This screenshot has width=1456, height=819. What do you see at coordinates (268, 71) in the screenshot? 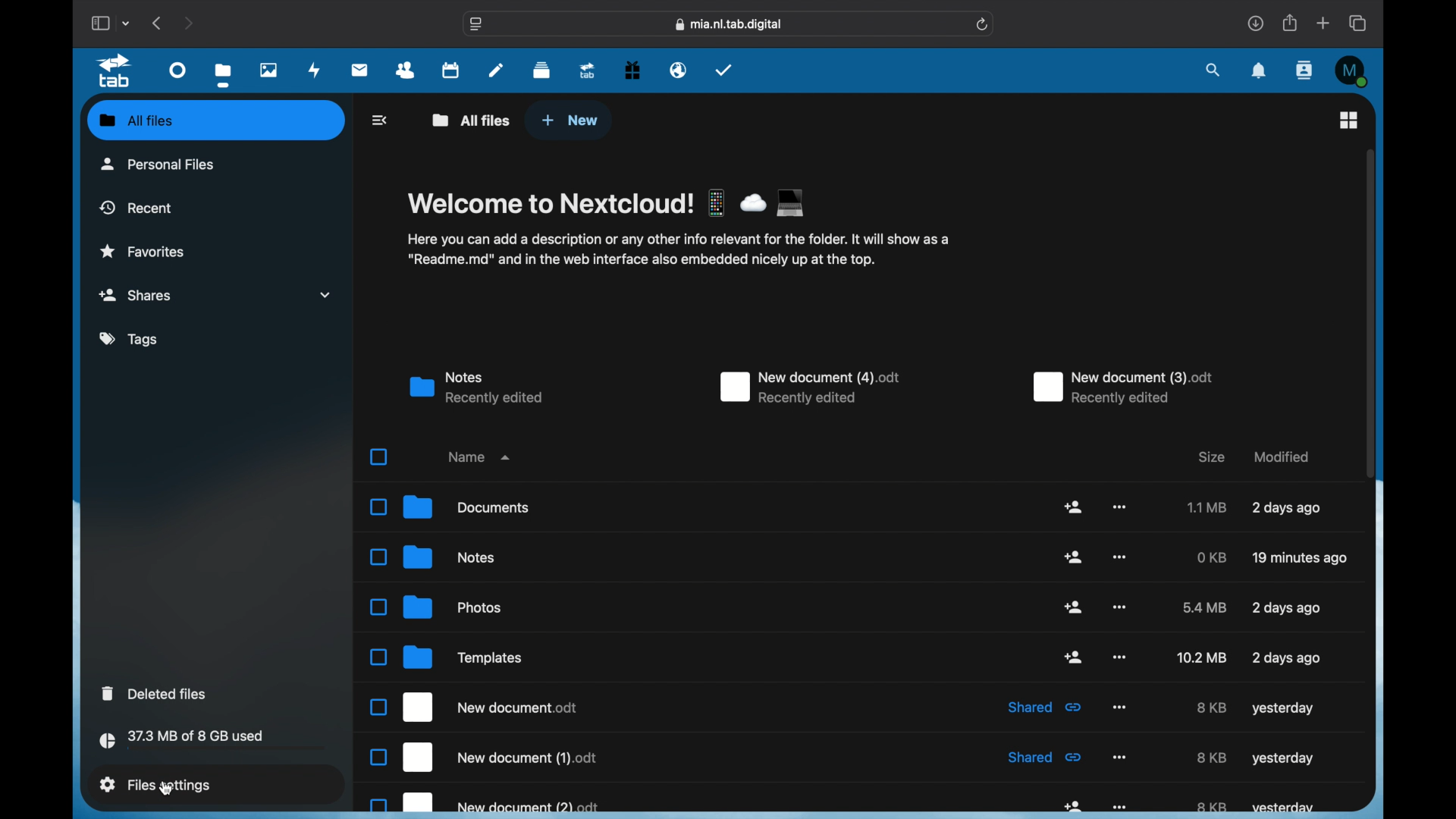
I see `photos` at bounding box center [268, 71].